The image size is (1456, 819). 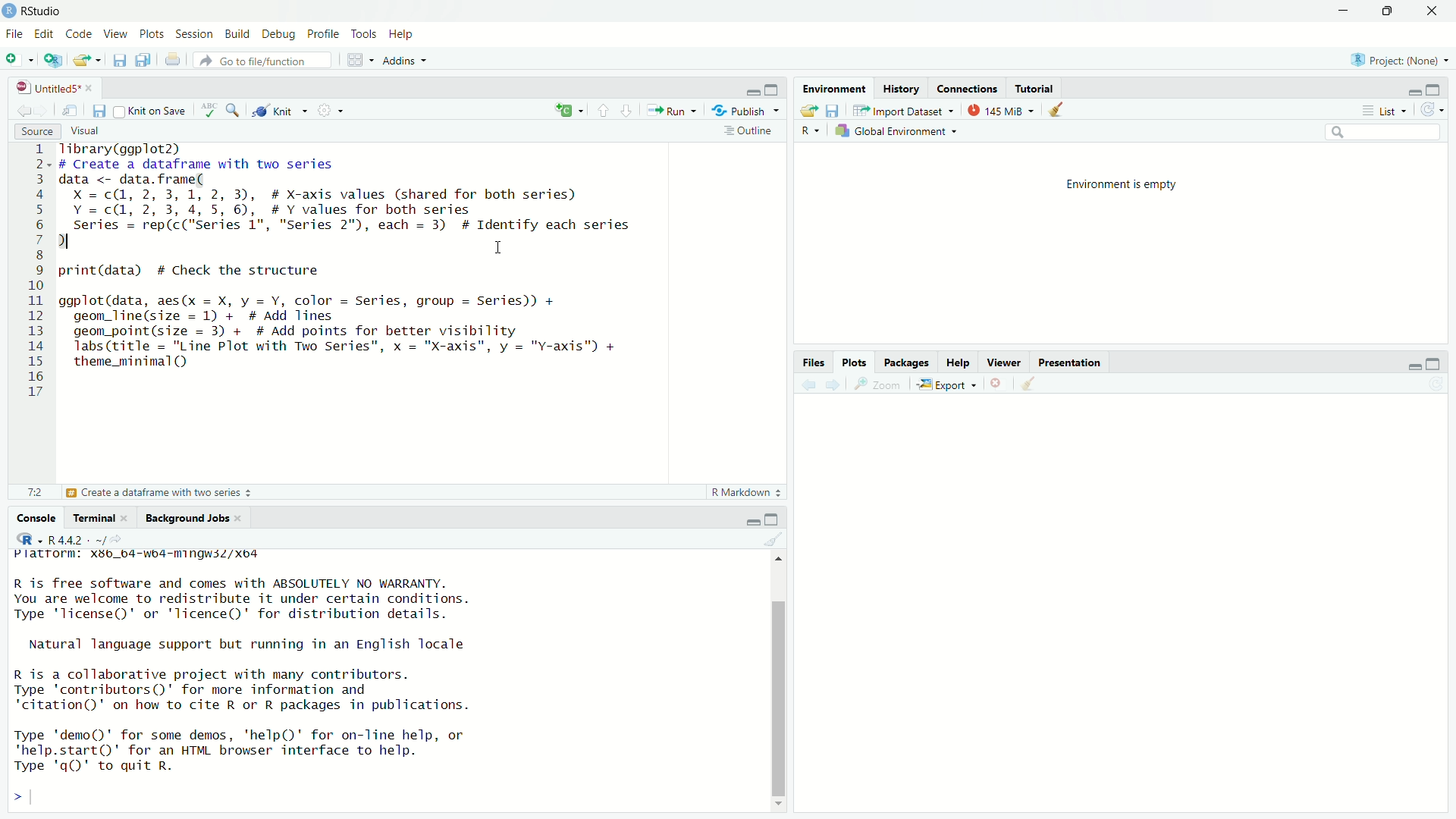 I want to click on Files, so click(x=813, y=364).